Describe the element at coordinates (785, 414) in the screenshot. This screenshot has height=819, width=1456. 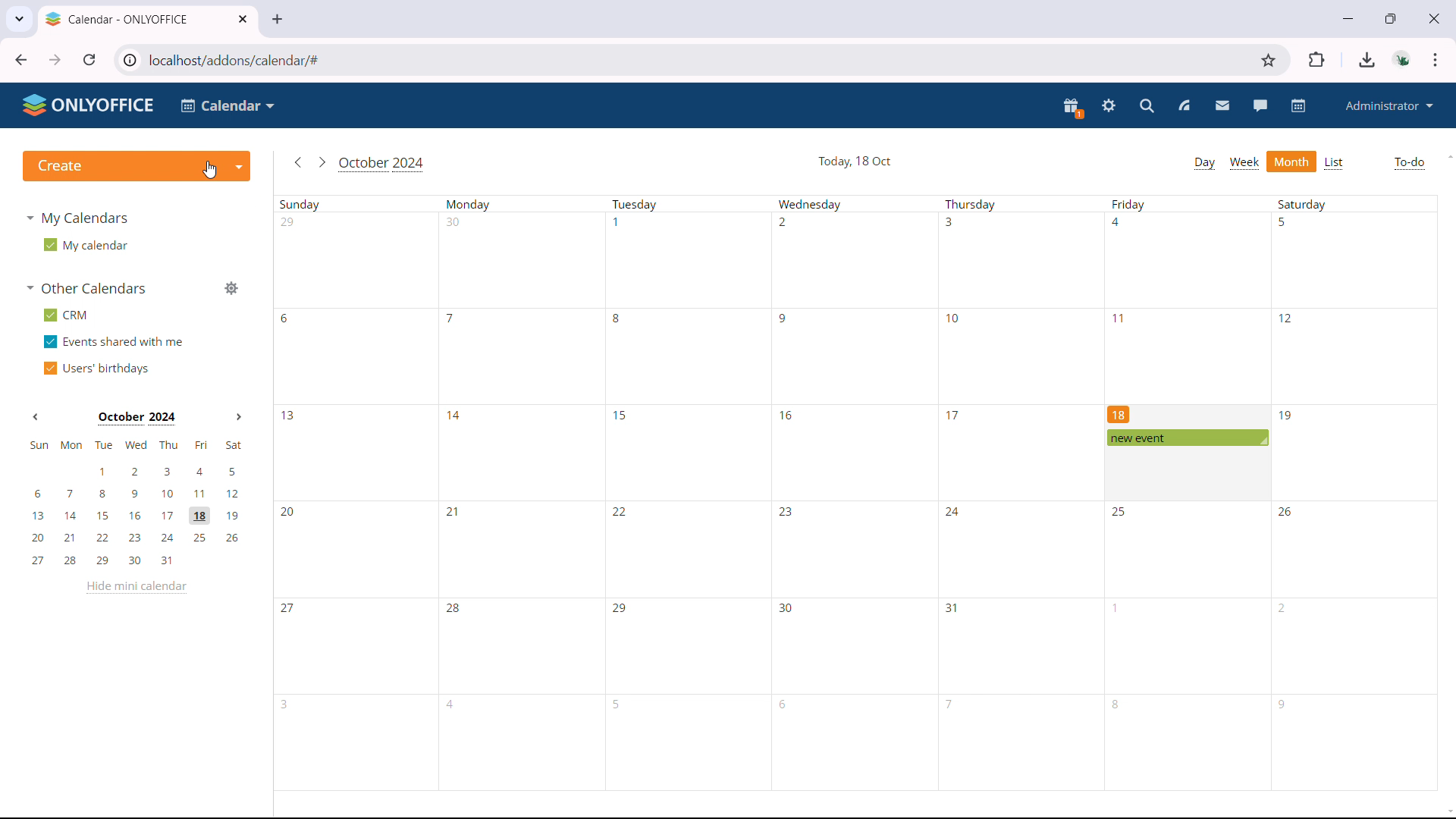
I see `16` at that location.